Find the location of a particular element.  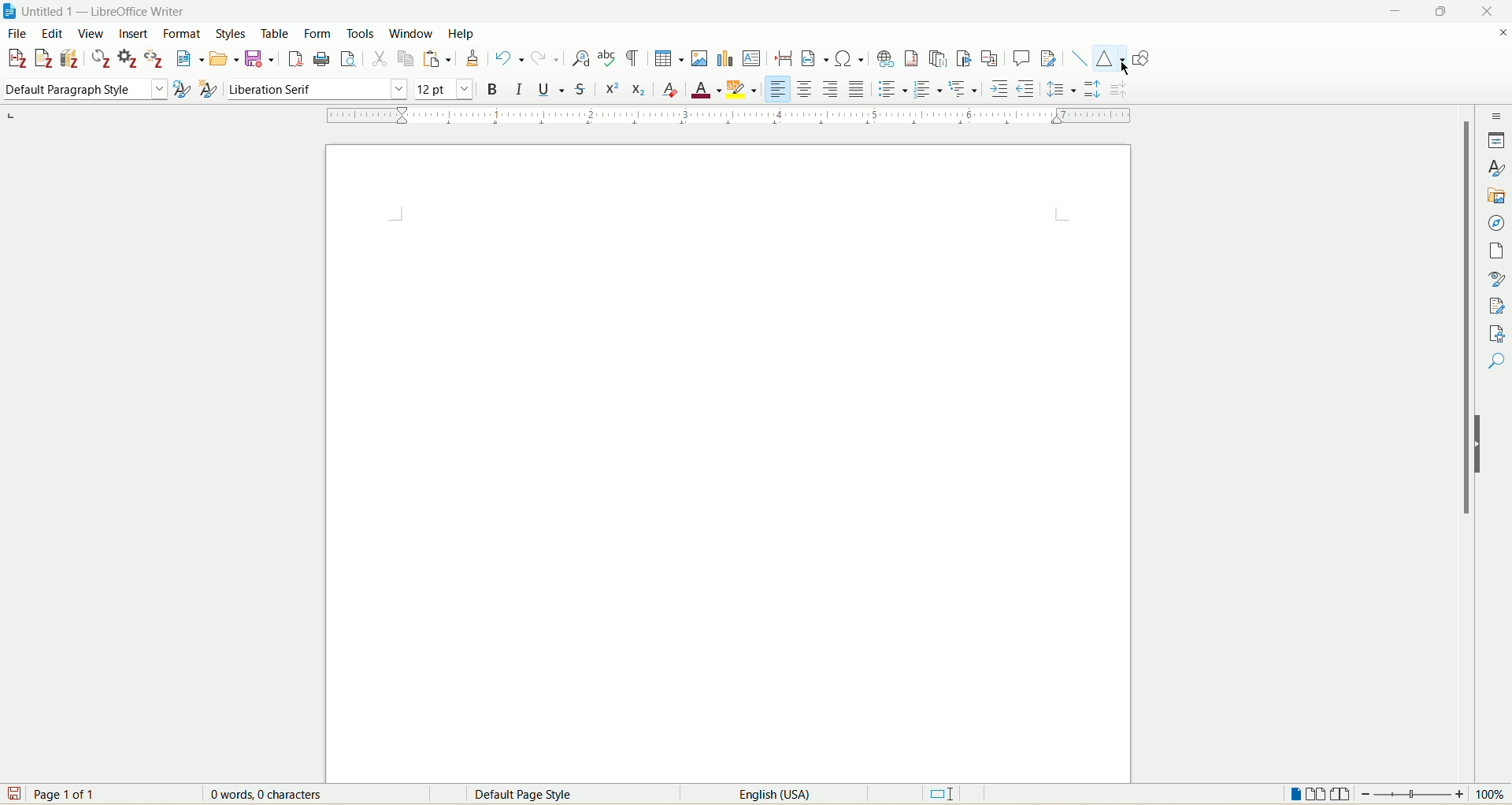

character highlighting is located at coordinates (743, 87).